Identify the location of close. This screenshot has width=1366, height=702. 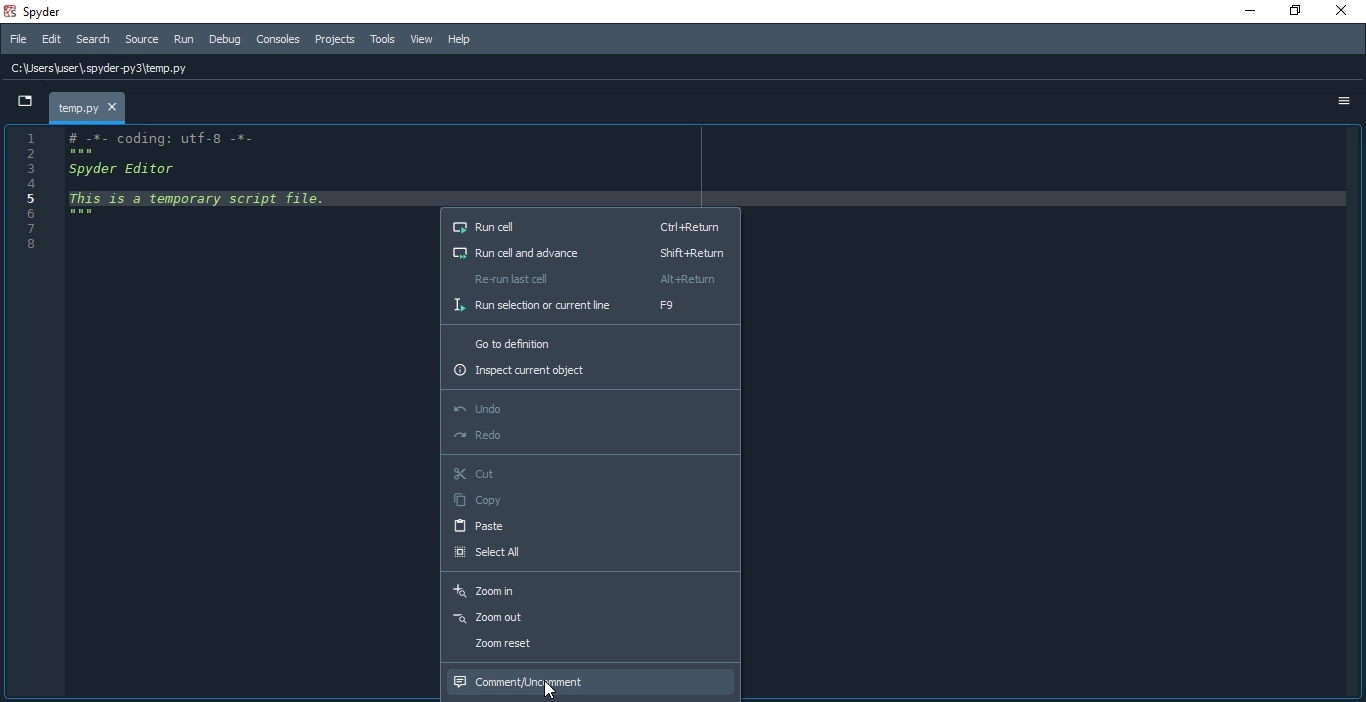
(1338, 11).